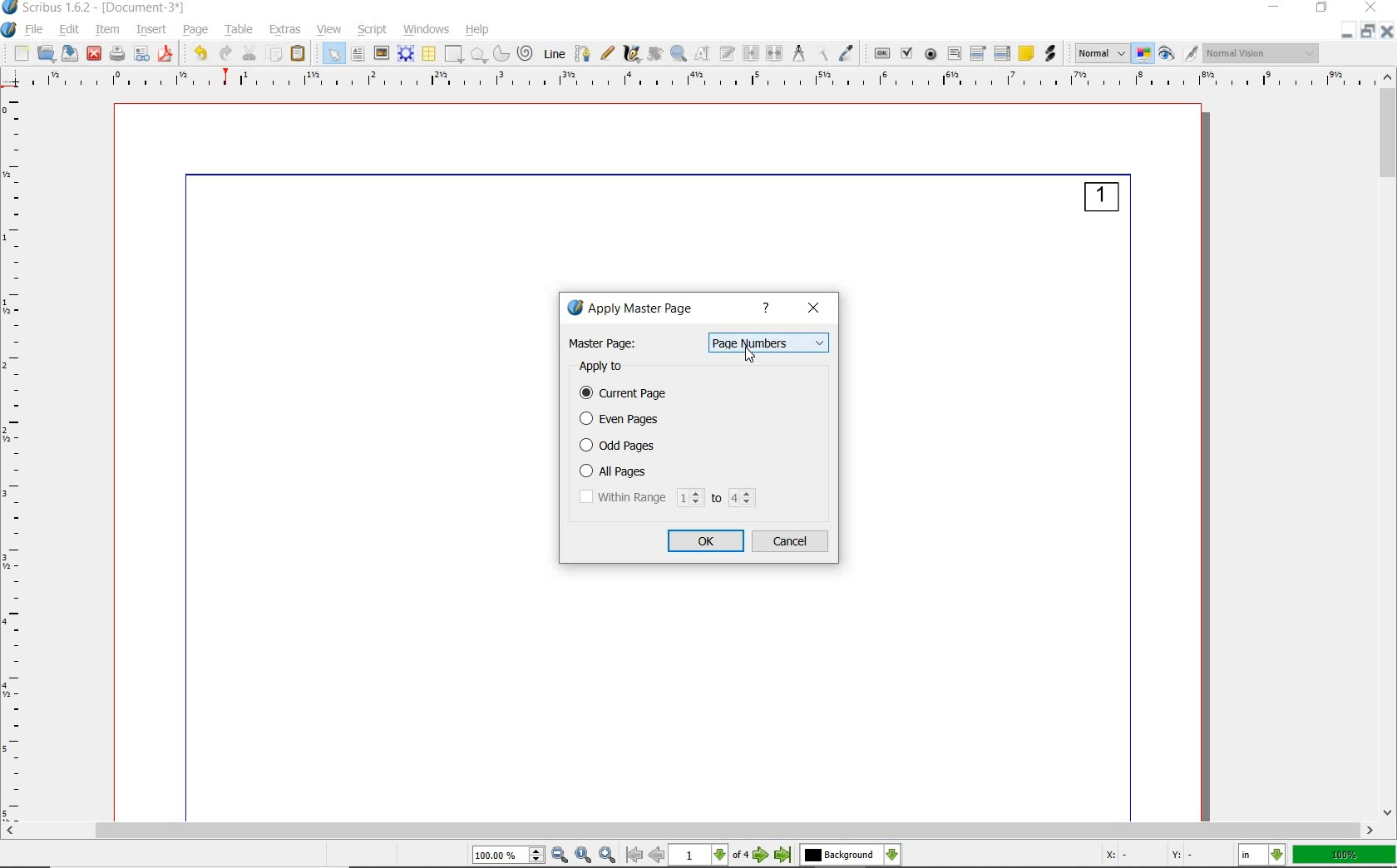 This screenshot has width=1397, height=868. I want to click on pdf combo box, so click(979, 54).